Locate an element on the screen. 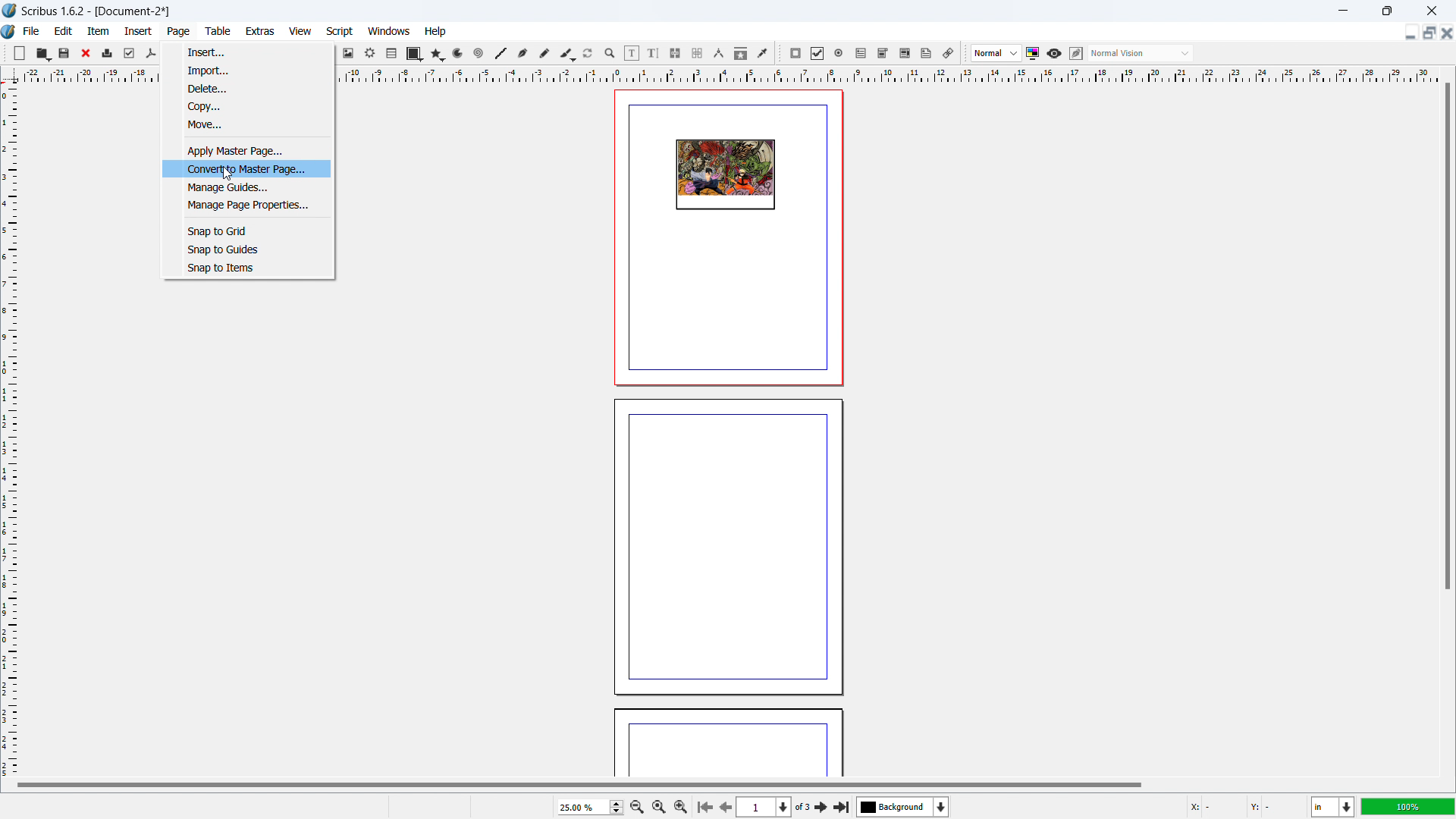 The image size is (1456, 819). edit in preview mode is located at coordinates (1075, 54).